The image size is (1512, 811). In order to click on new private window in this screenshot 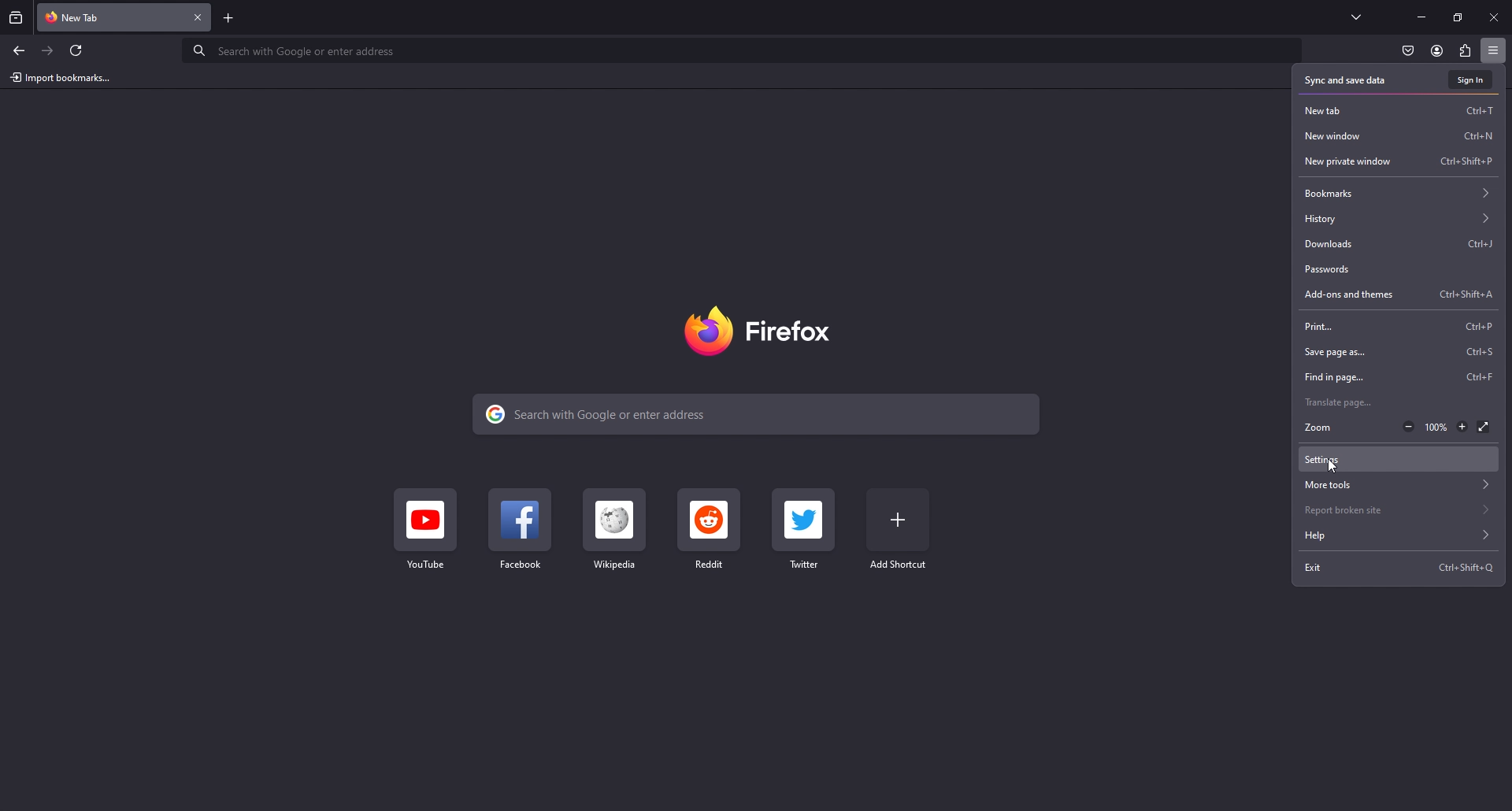, I will do `click(1402, 161)`.